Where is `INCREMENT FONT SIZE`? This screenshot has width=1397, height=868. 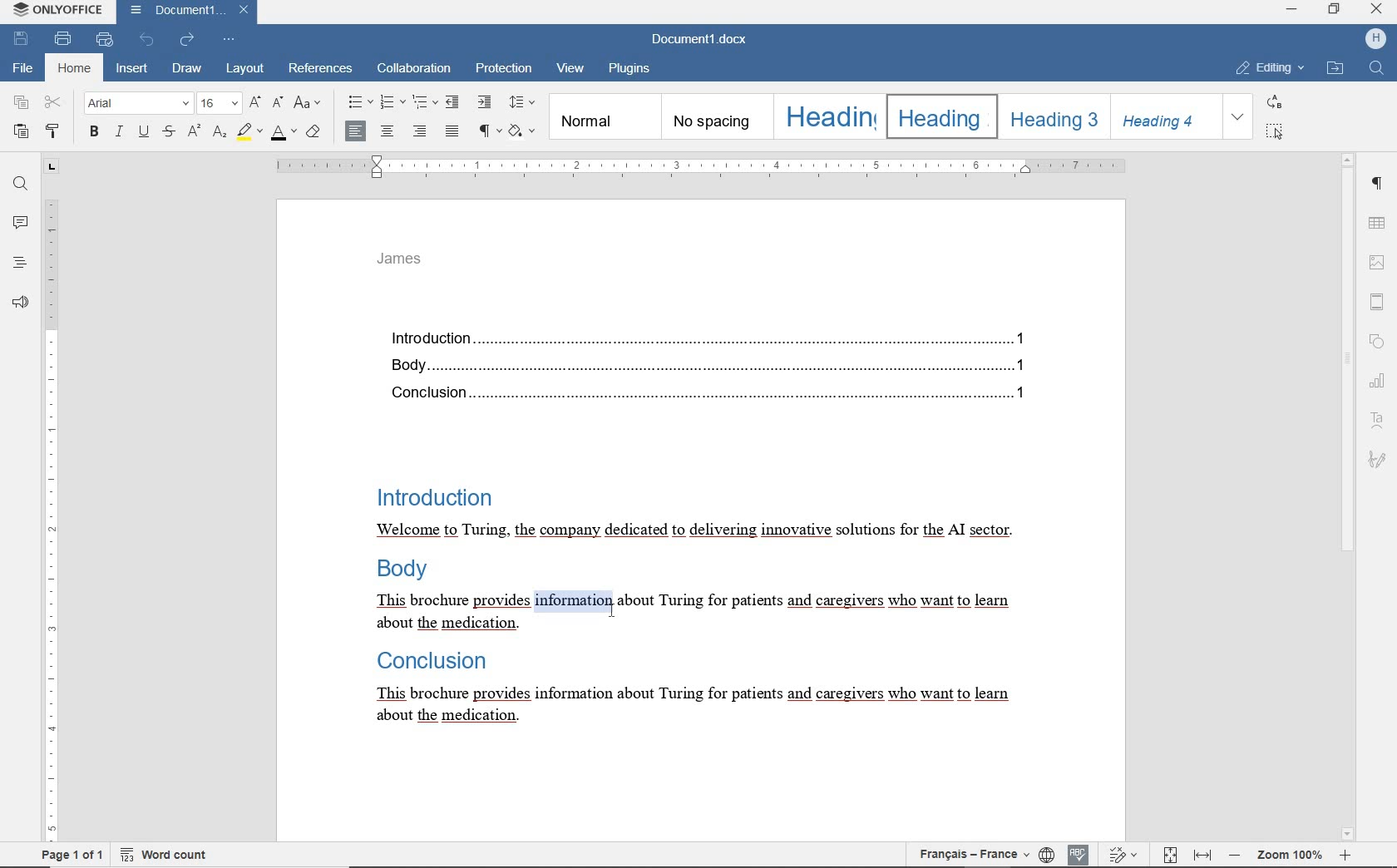 INCREMENT FONT SIZE is located at coordinates (254, 101).